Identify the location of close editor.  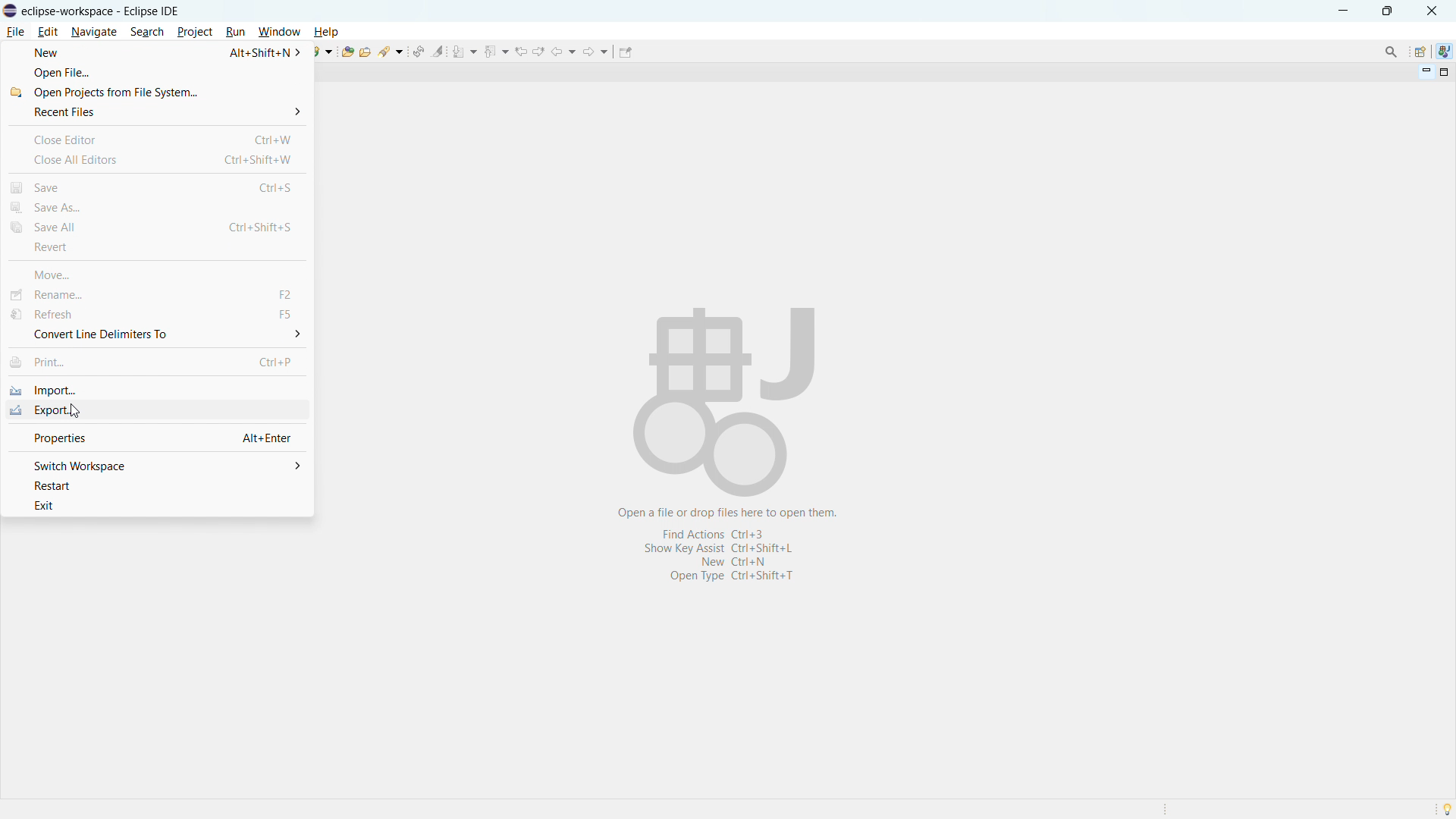
(158, 139).